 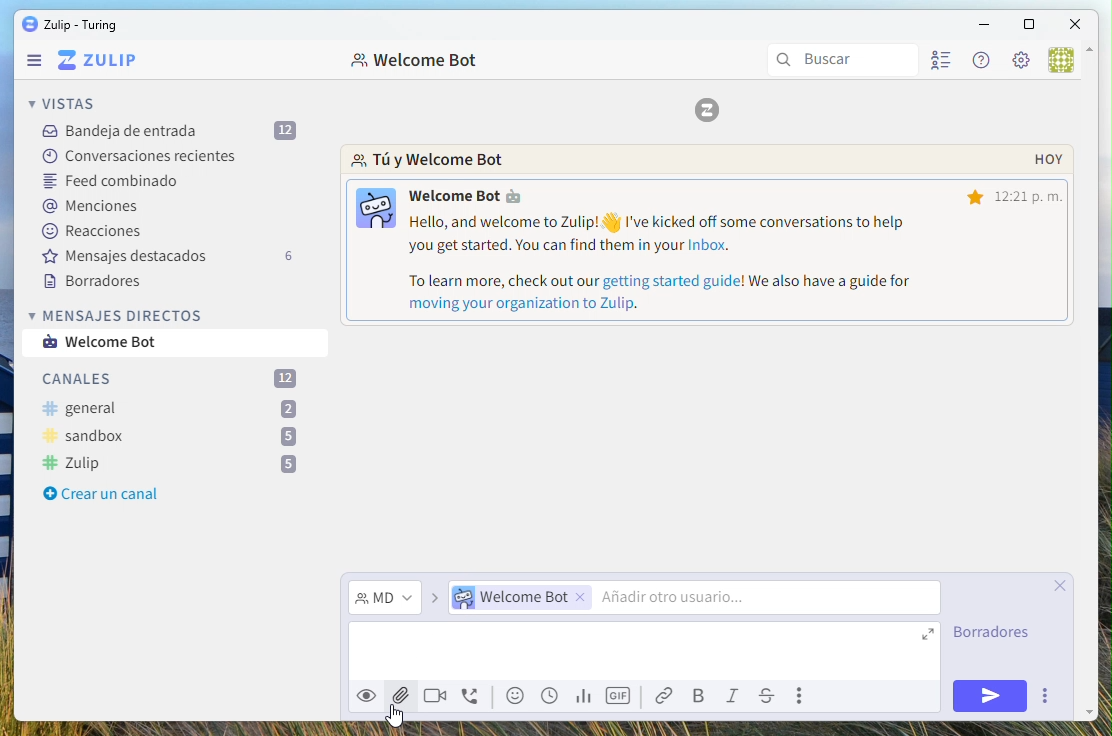 I want to click on Views, so click(x=66, y=103).